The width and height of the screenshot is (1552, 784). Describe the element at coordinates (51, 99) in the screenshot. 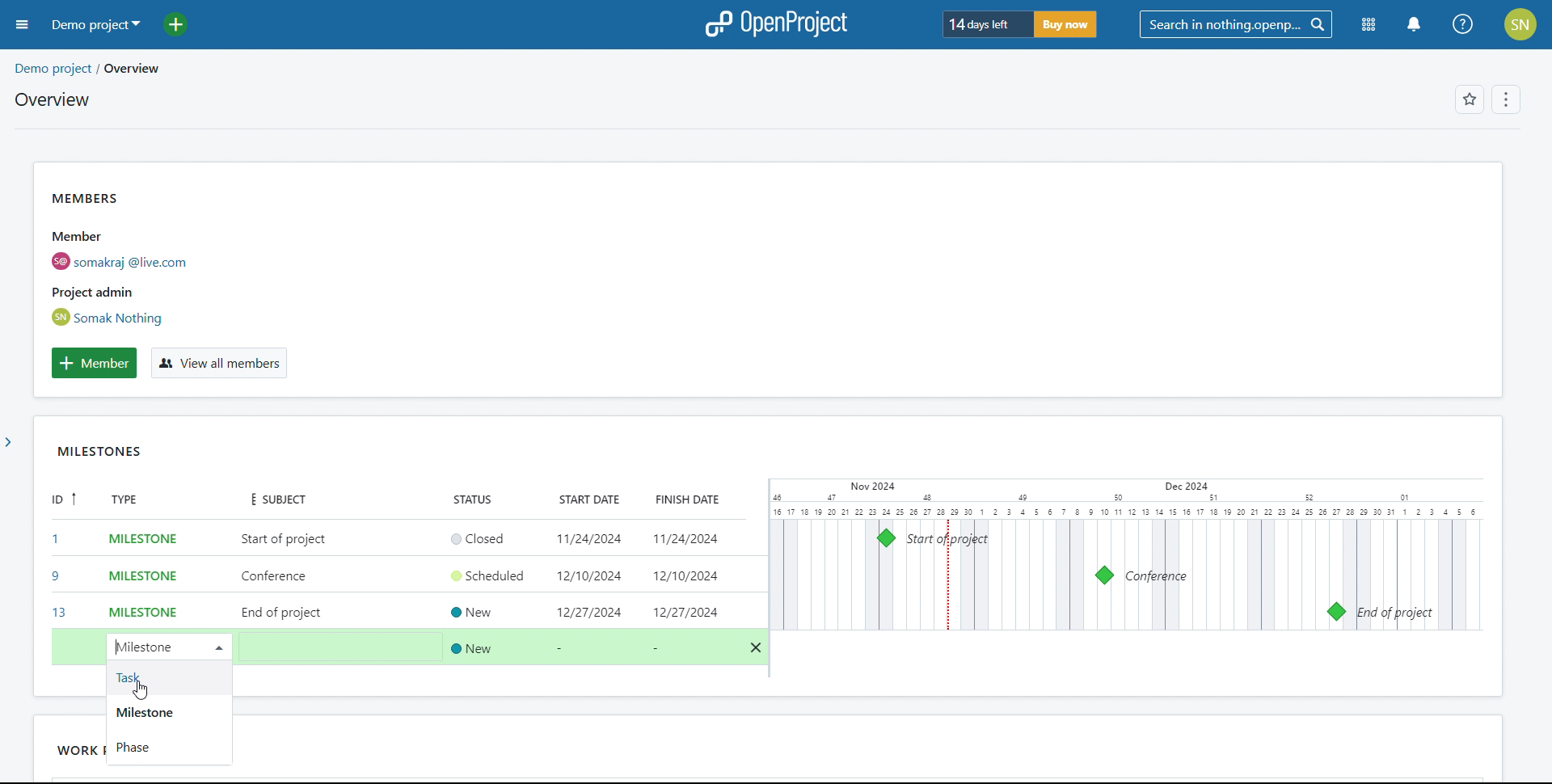

I see `overview` at that location.